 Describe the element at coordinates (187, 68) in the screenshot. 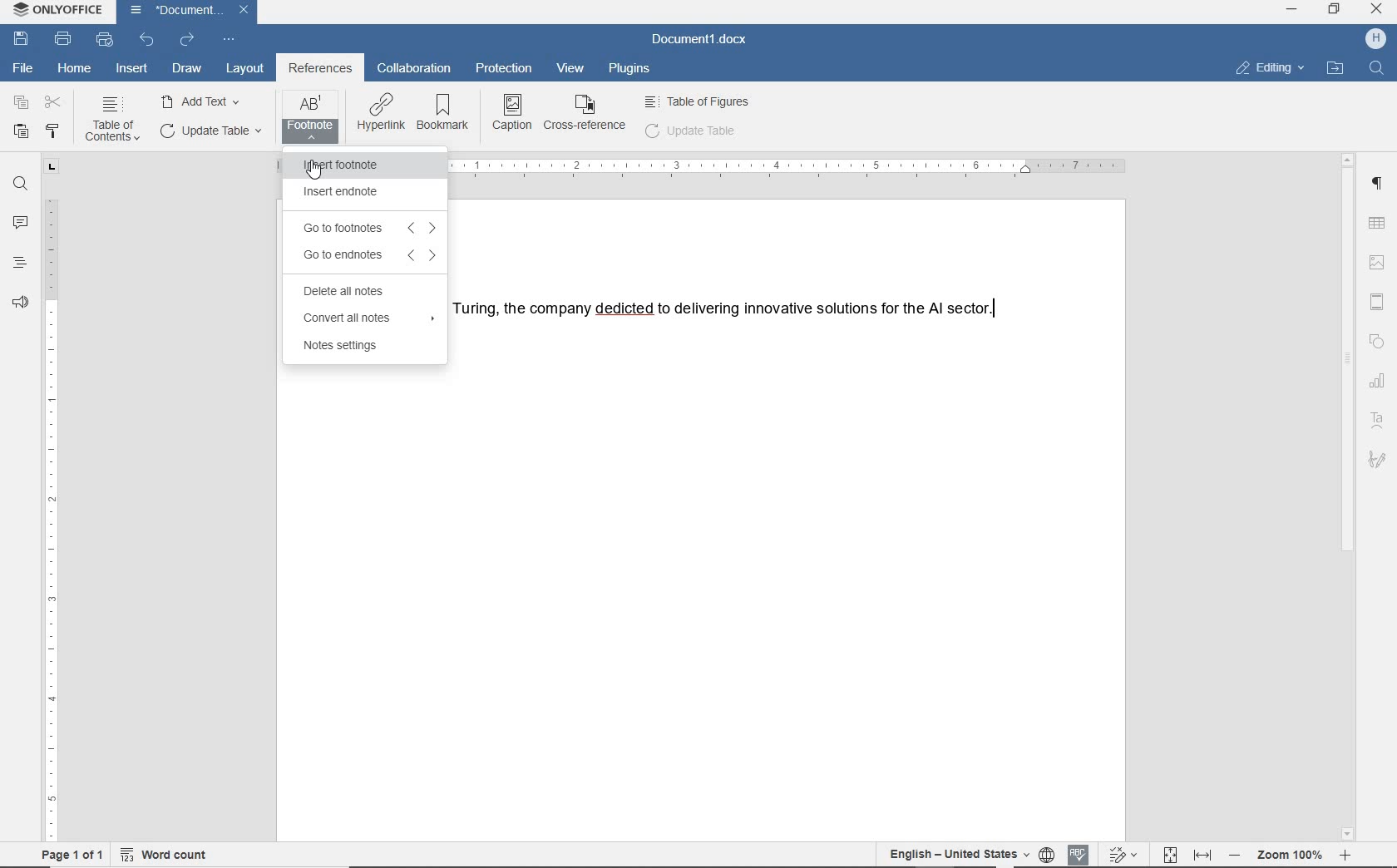

I see `draw` at that location.